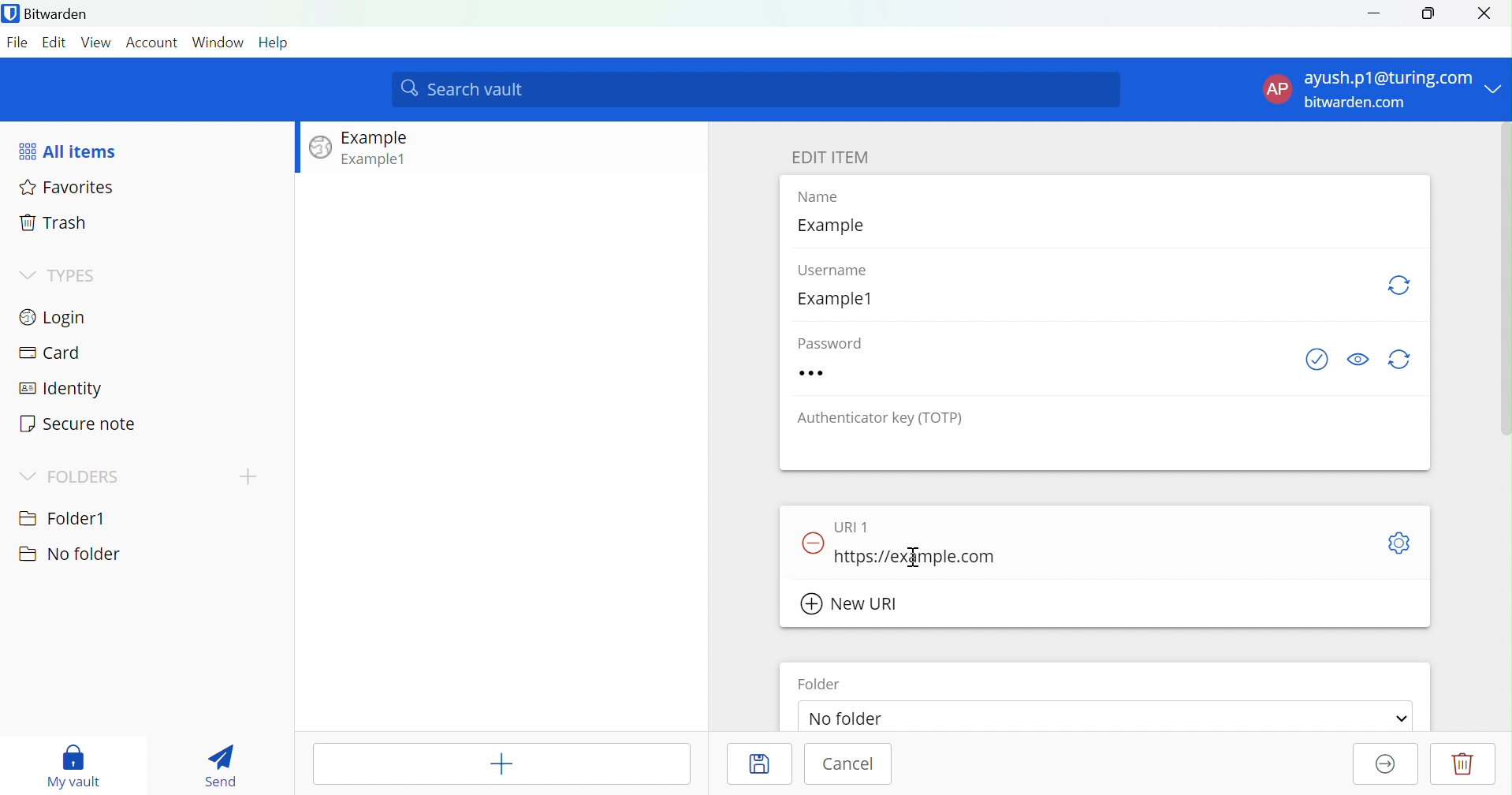  What do you see at coordinates (503, 763) in the screenshot?
I see `Add Item` at bounding box center [503, 763].